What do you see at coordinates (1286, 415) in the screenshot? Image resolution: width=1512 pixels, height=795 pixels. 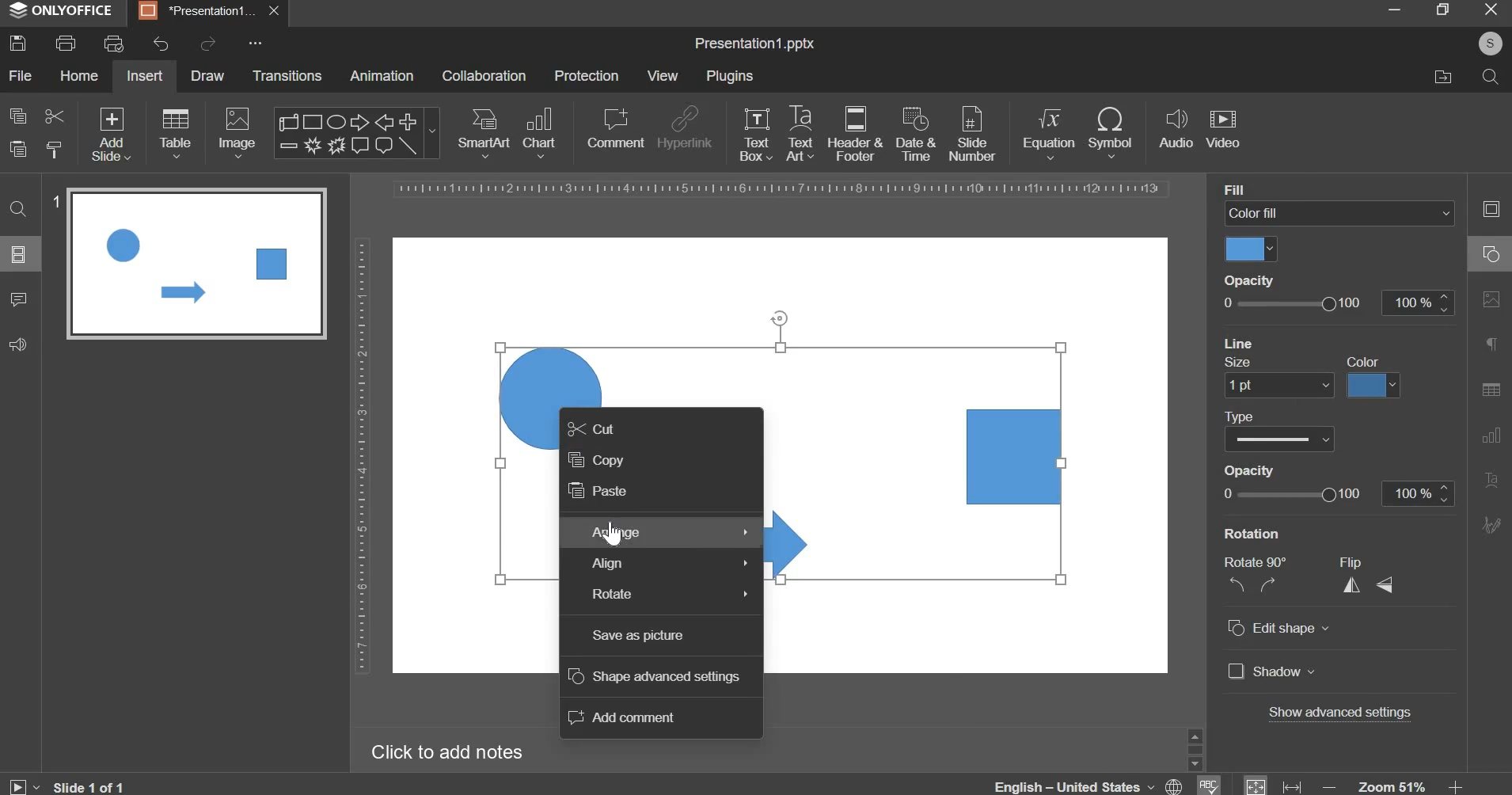 I see `type` at bounding box center [1286, 415].